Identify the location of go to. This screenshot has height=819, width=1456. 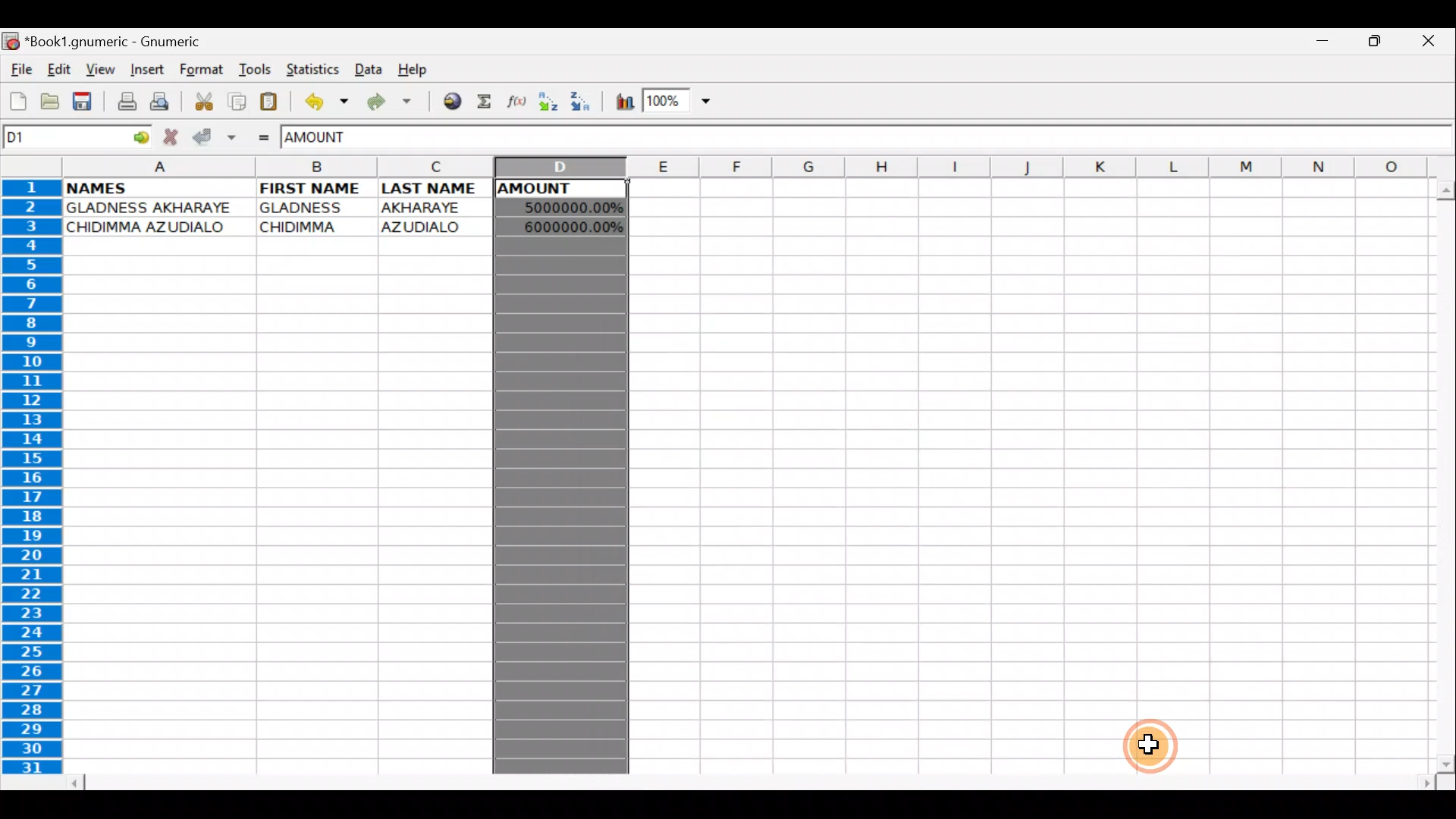
(144, 138).